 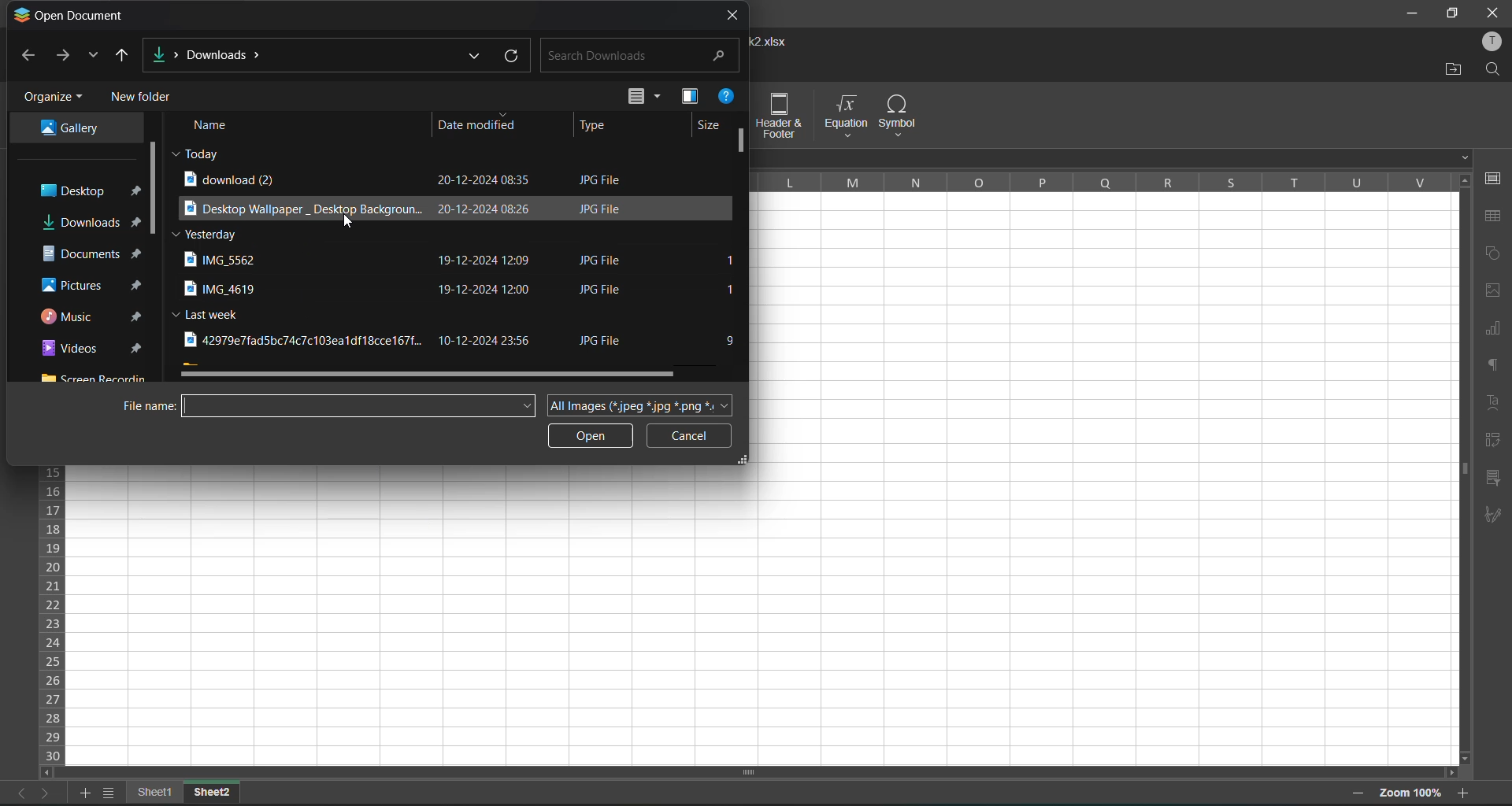 What do you see at coordinates (1115, 157) in the screenshot?
I see `formula bar` at bounding box center [1115, 157].